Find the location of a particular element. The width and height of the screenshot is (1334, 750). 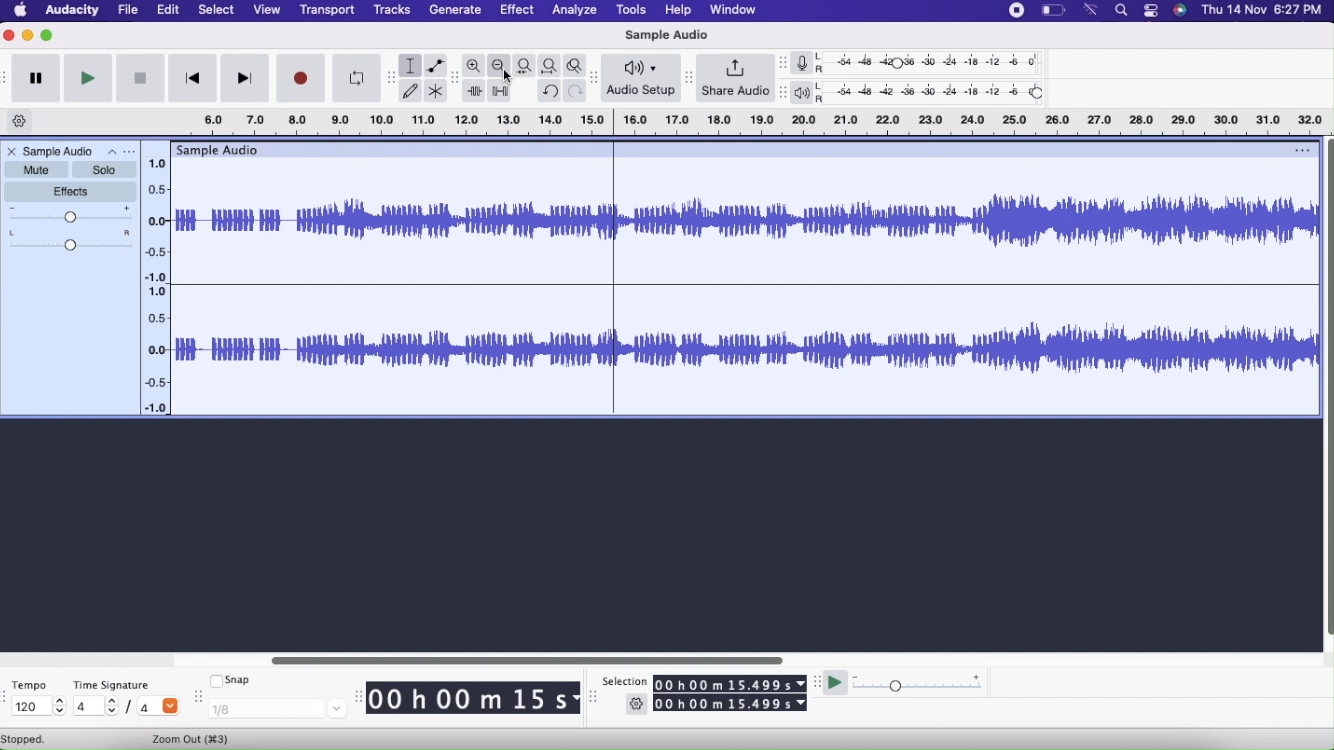

Envelope tool is located at coordinates (437, 65).